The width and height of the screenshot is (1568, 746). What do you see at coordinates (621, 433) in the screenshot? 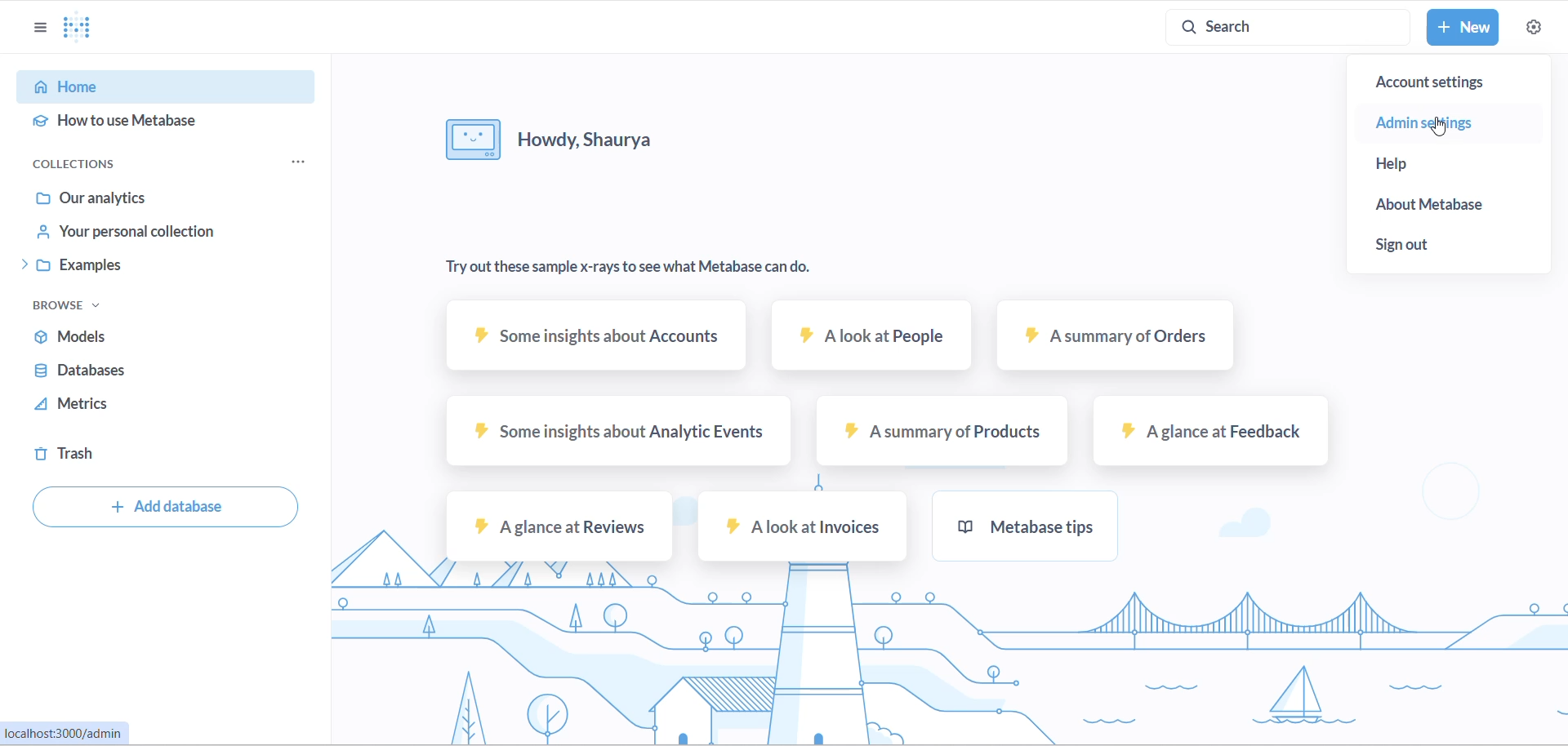
I see `some insights about analytic events sample` at bounding box center [621, 433].